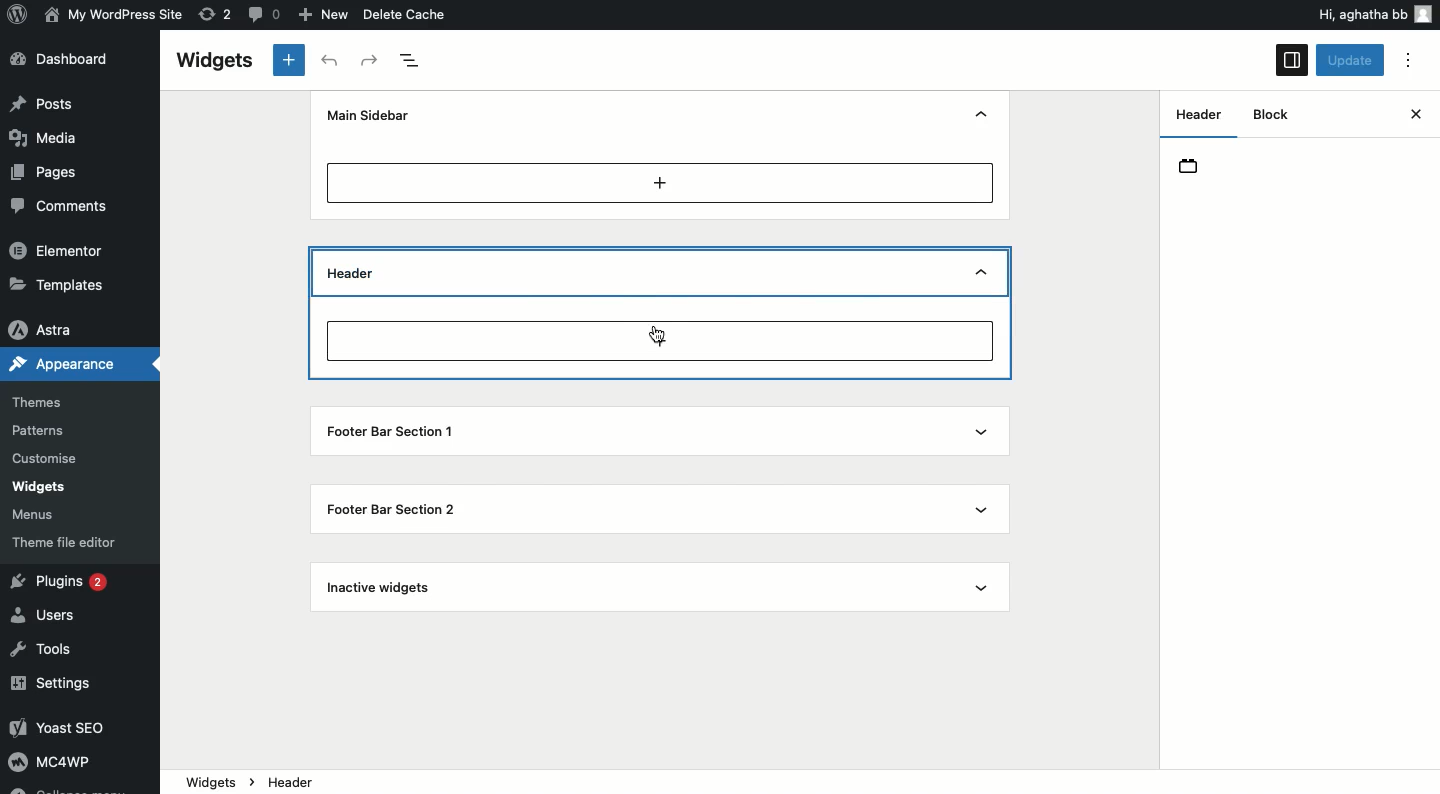  I want to click on Header, so click(1192, 166).